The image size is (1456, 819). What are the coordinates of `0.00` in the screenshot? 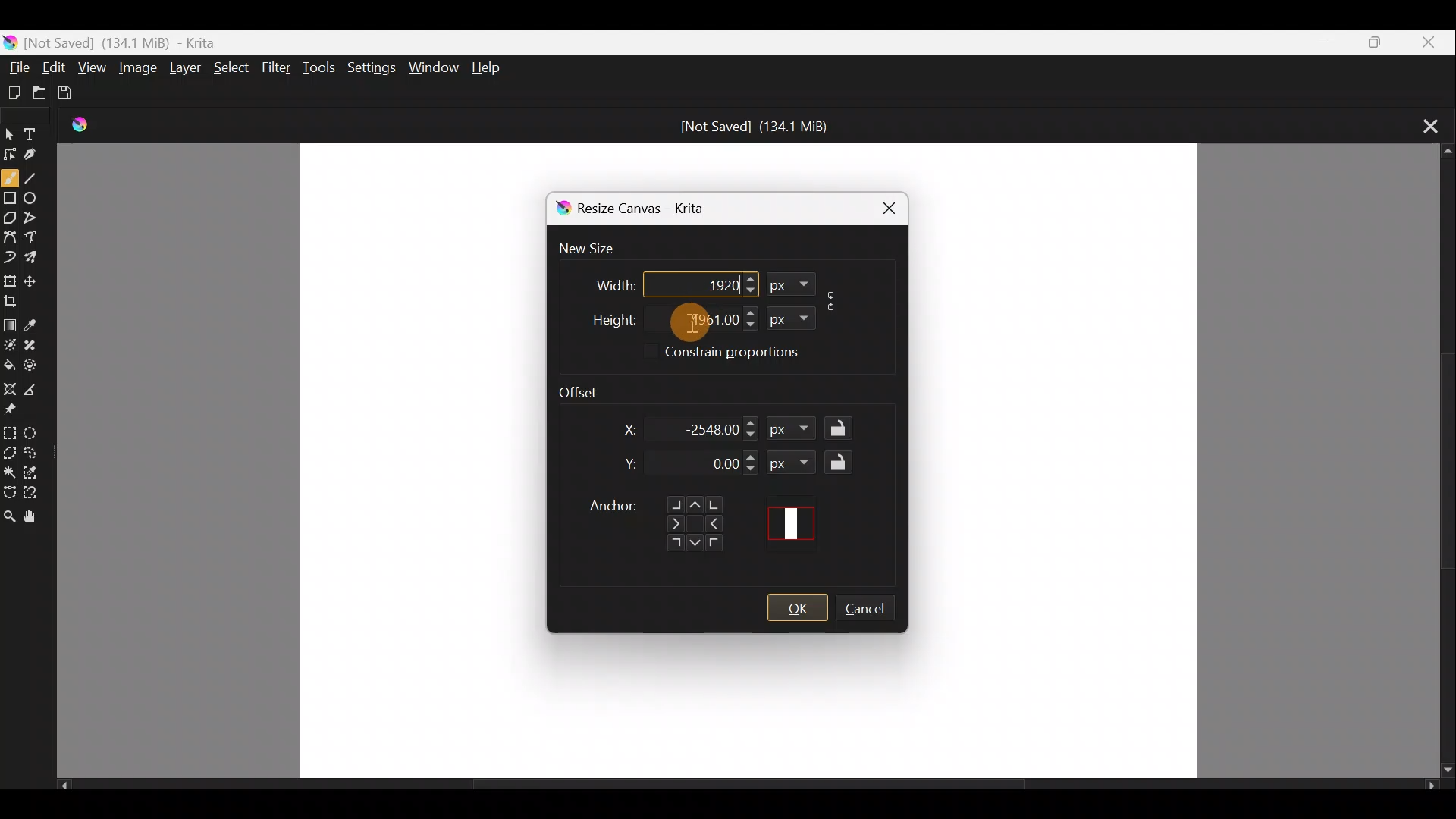 It's located at (711, 465).